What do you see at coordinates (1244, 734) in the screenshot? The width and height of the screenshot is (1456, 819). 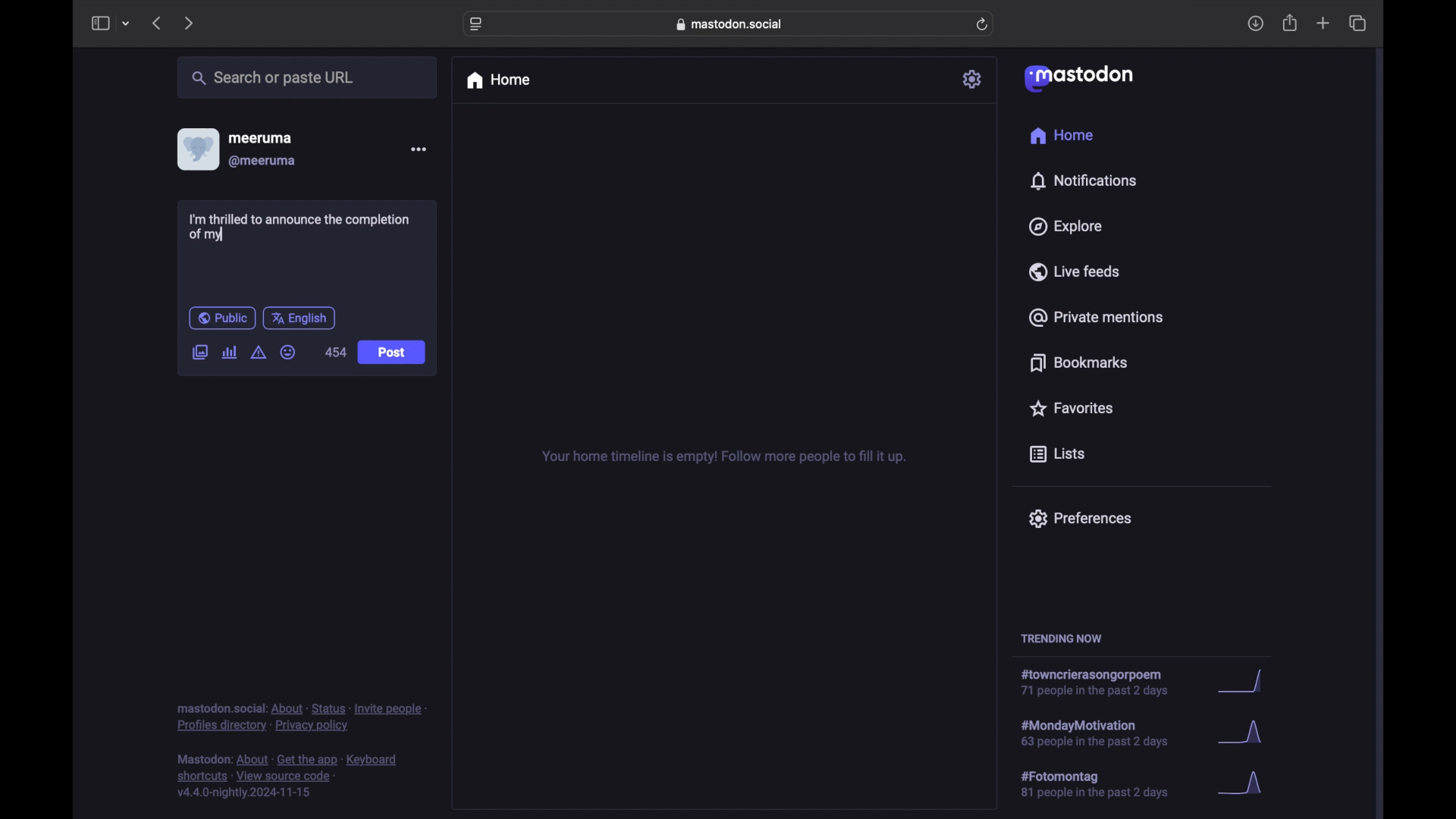 I see `graph` at bounding box center [1244, 734].